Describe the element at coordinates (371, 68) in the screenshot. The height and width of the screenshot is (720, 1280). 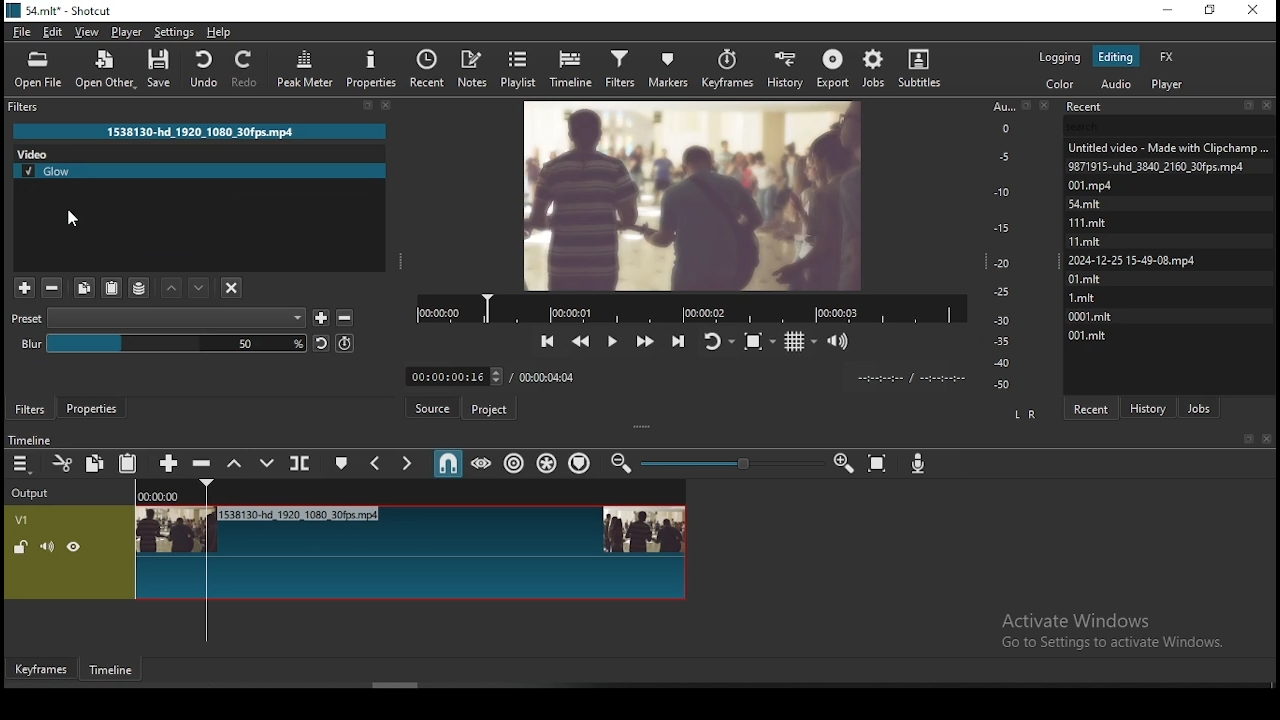
I see `peak meter` at that location.